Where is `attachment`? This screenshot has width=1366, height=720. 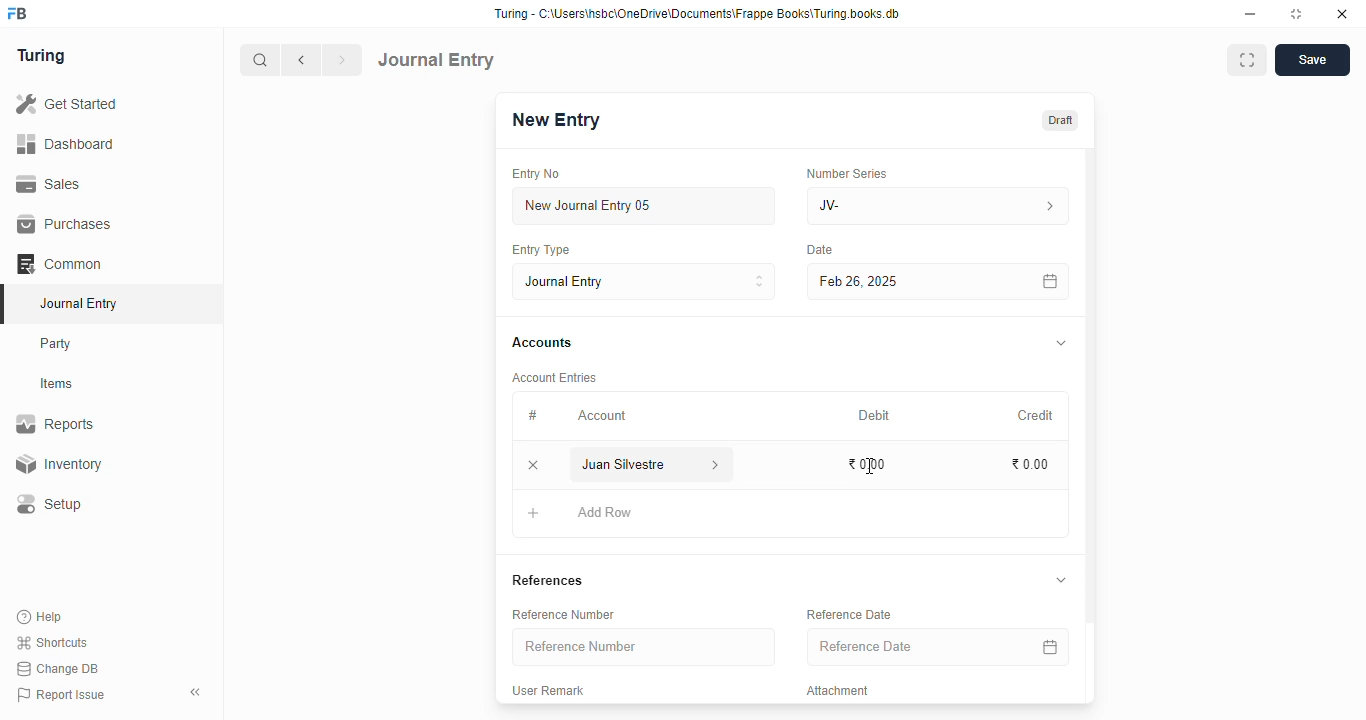 attachment is located at coordinates (838, 691).